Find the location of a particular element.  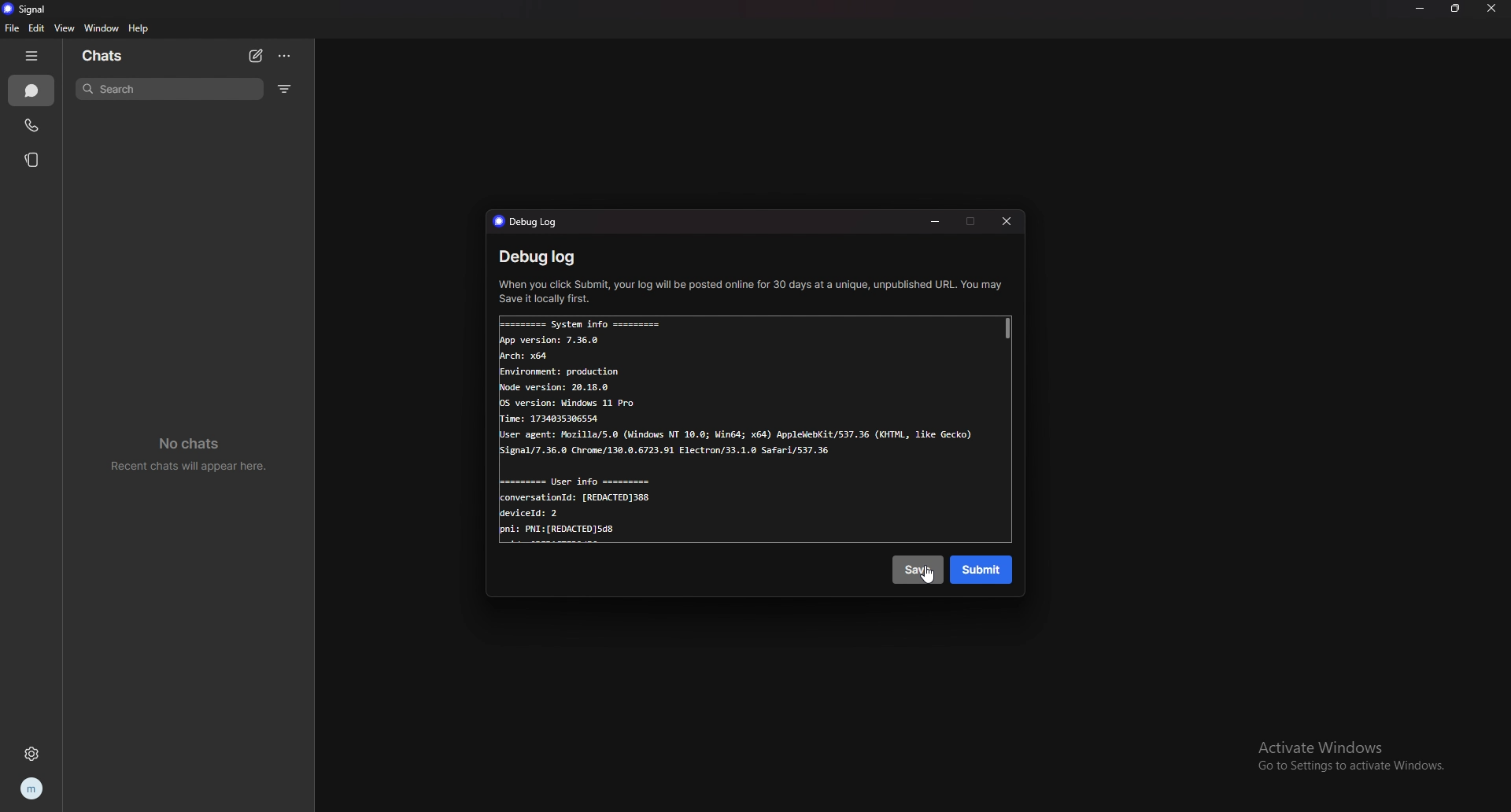

close is located at coordinates (1493, 8).